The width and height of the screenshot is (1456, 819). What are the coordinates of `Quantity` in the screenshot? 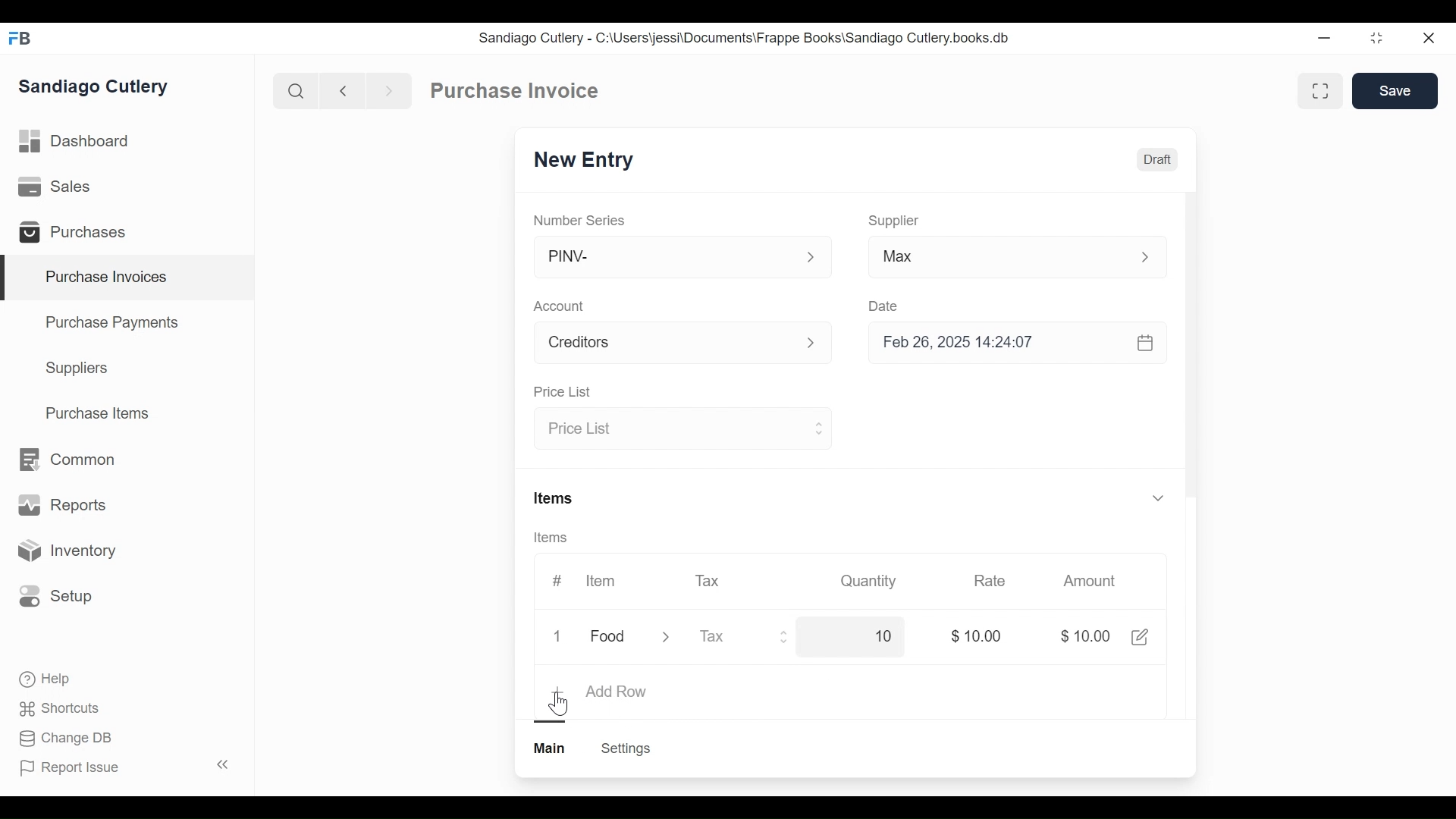 It's located at (867, 580).